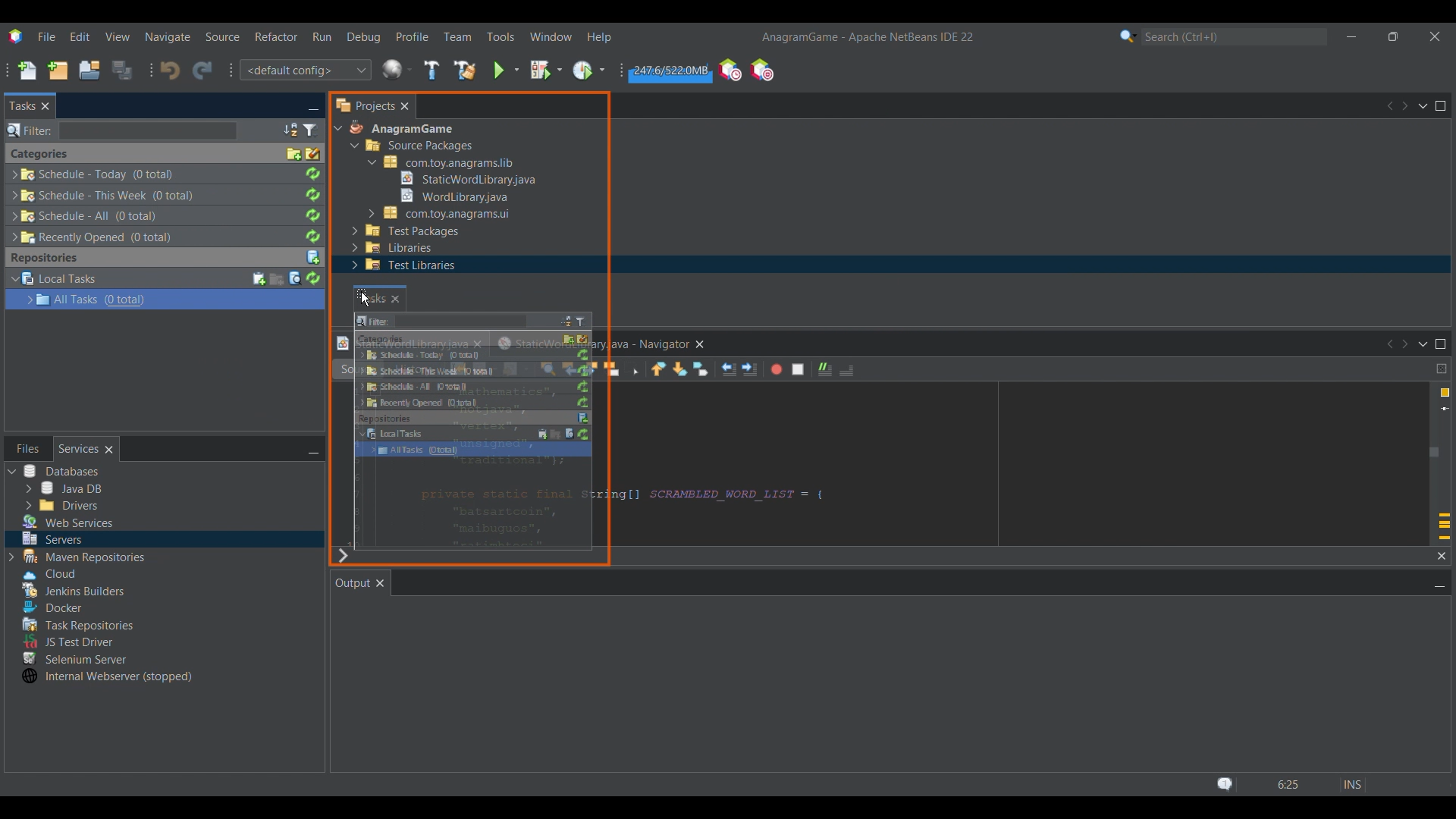 The height and width of the screenshot is (819, 1456). What do you see at coordinates (45, 105) in the screenshot?
I see `Close` at bounding box center [45, 105].